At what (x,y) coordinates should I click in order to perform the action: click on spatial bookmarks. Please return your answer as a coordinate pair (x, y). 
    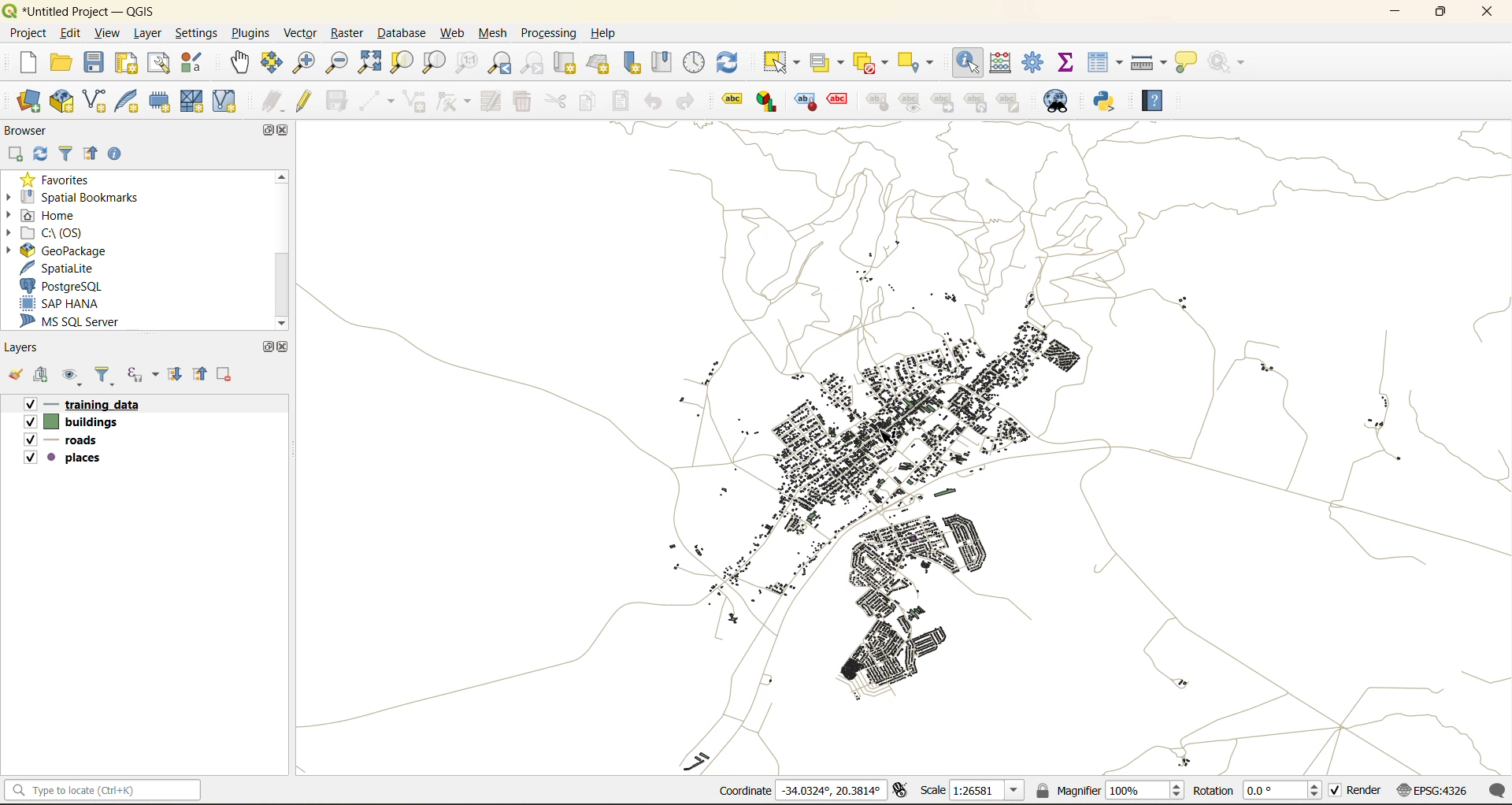
    Looking at the image, I should click on (83, 197).